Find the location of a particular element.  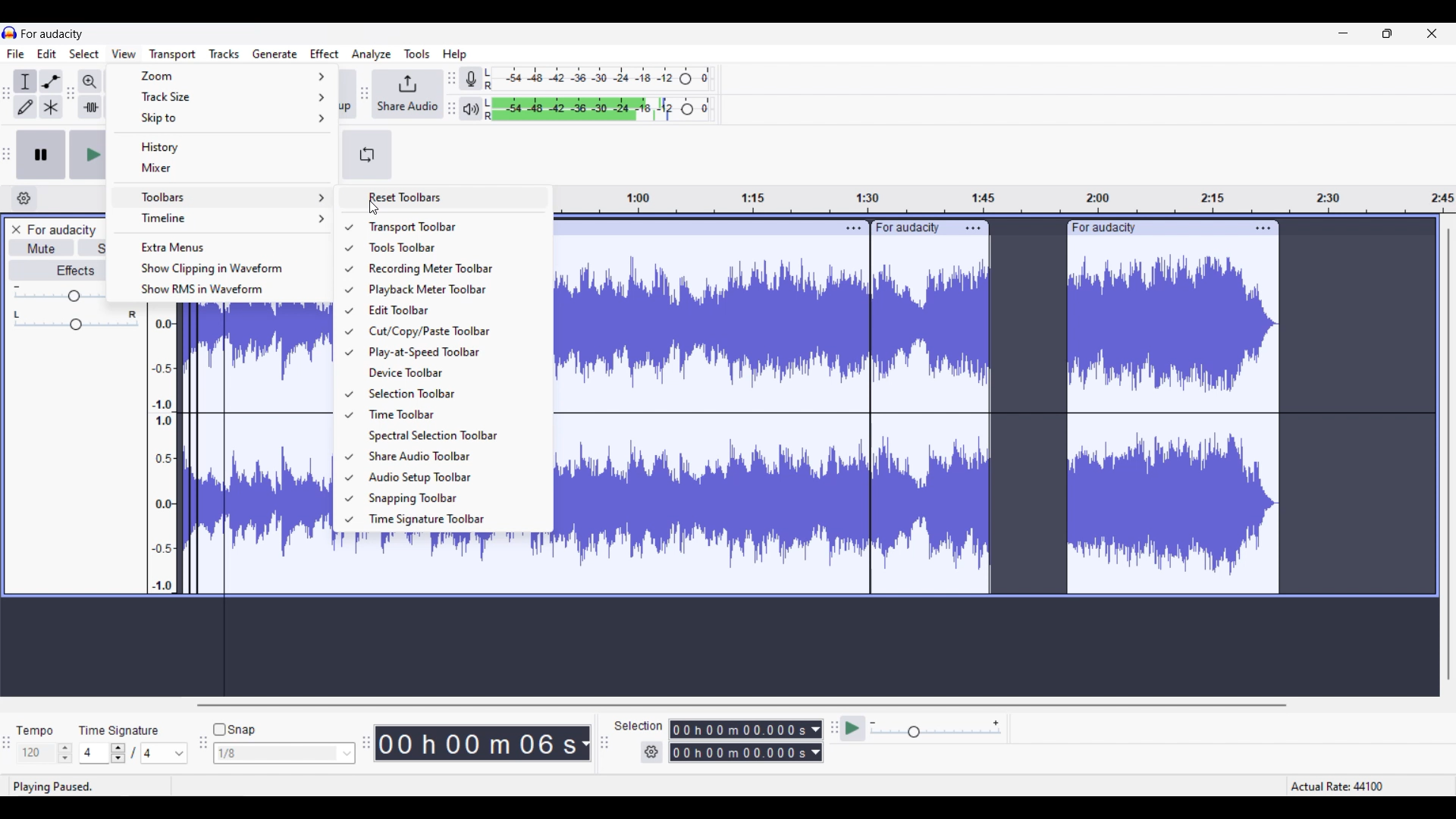

Horizontal slide bar is located at coordinates (739, 705).